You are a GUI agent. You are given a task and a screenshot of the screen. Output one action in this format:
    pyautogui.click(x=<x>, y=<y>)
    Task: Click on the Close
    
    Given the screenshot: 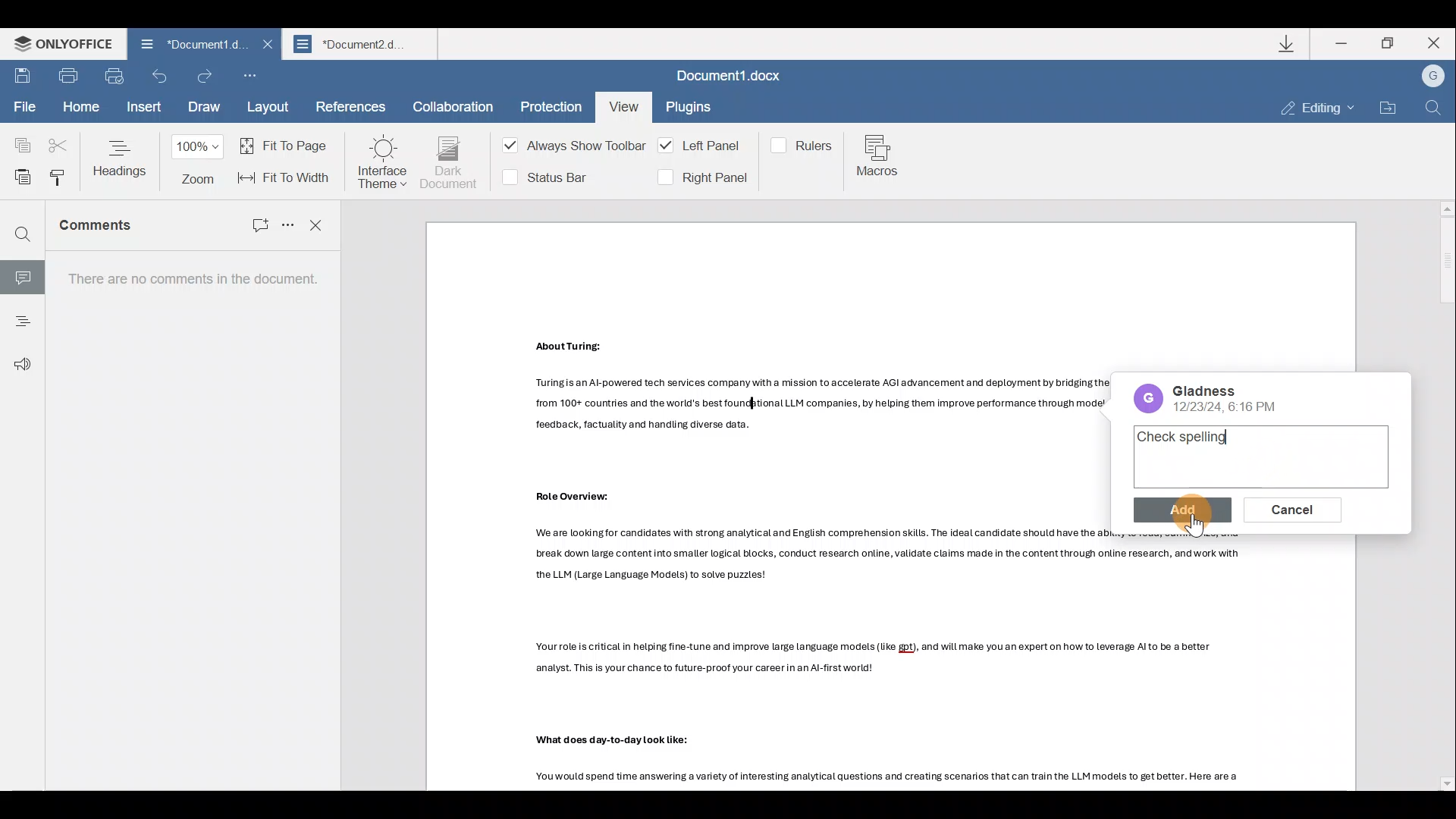 What is the action you would take?
    pyautogui.click(x=1439, y=45)
    